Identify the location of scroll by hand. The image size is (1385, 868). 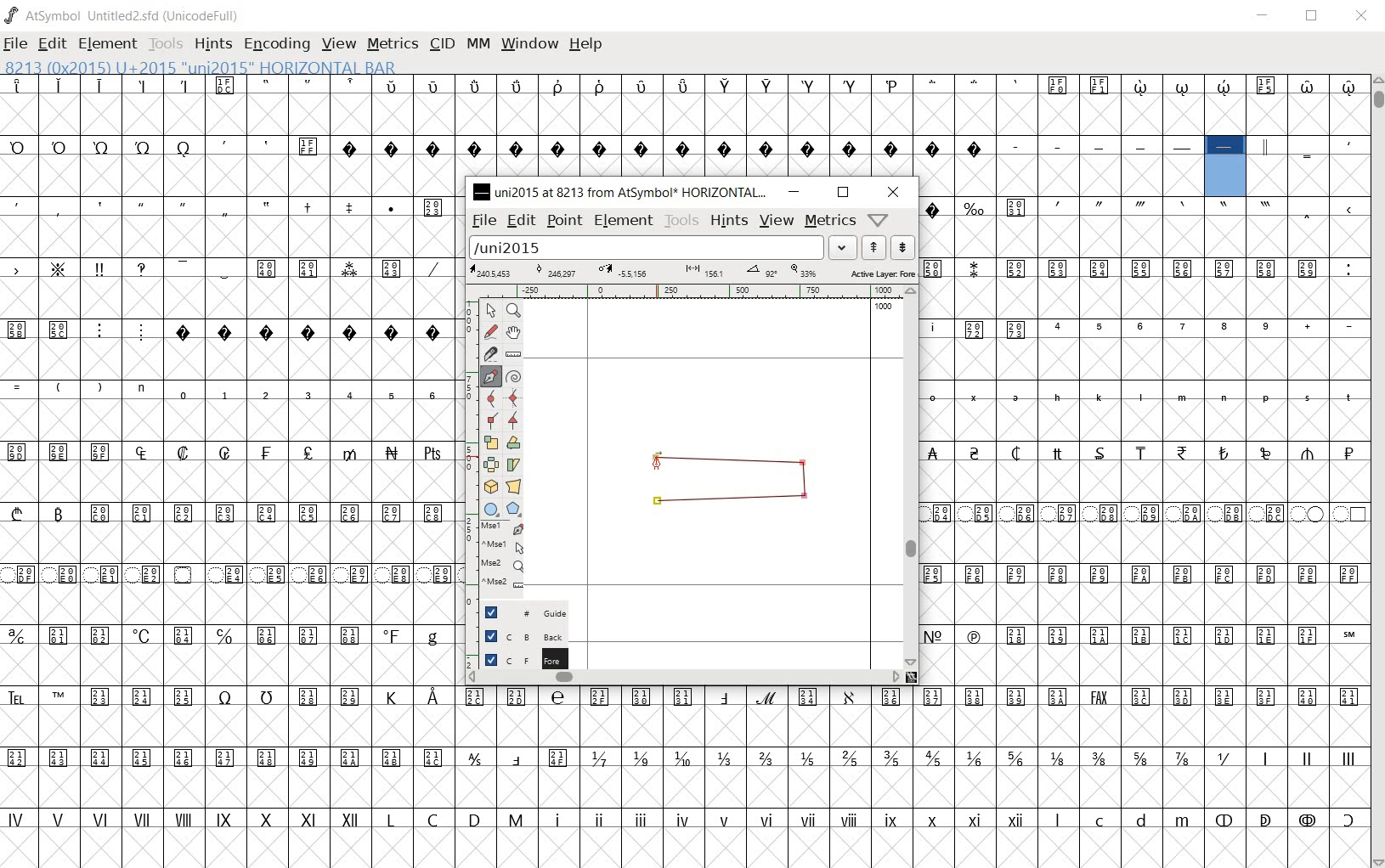
(512, 332).